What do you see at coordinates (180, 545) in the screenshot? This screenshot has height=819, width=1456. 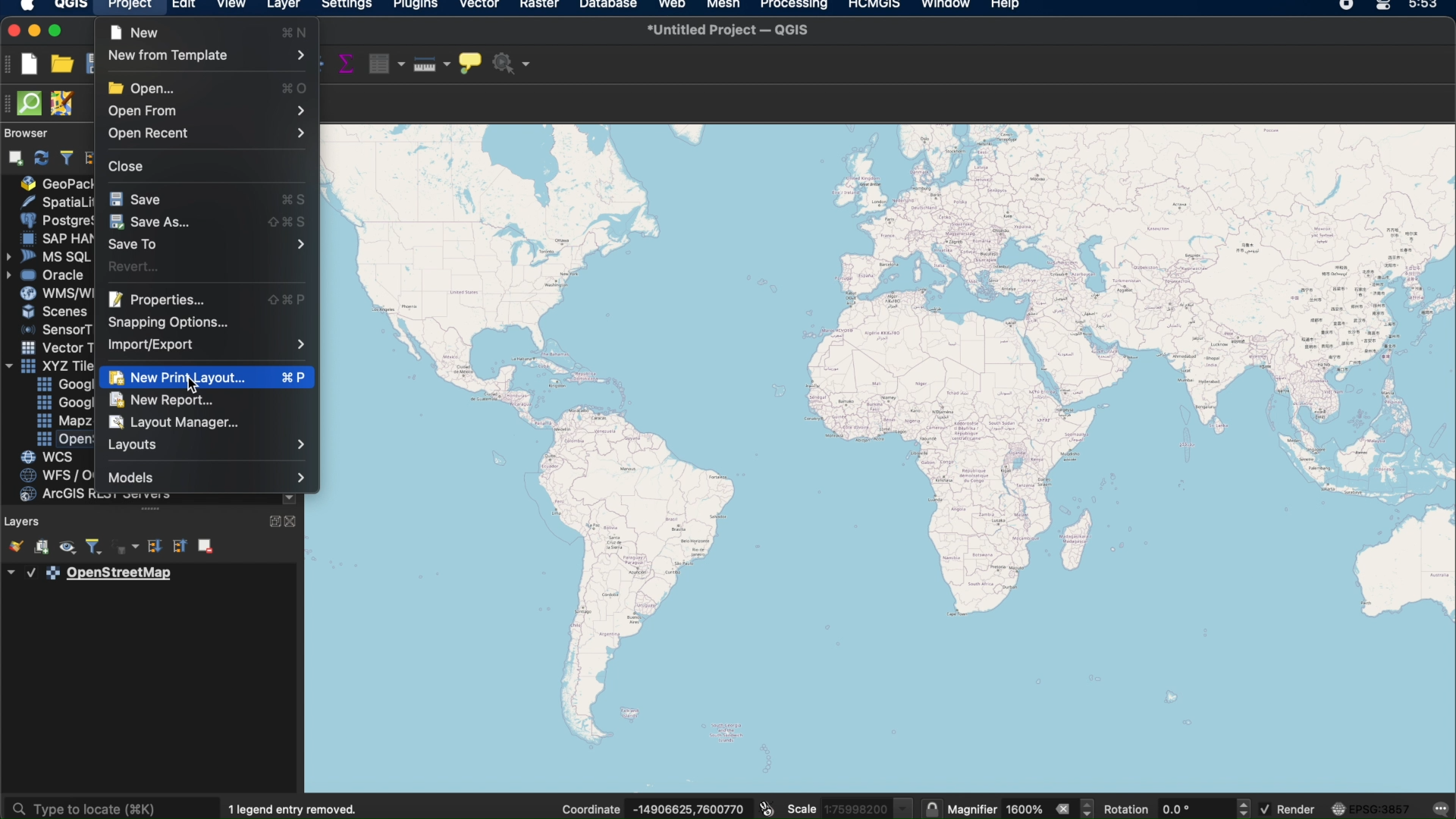 I see `collapse all` at bounding box center [180, 545].